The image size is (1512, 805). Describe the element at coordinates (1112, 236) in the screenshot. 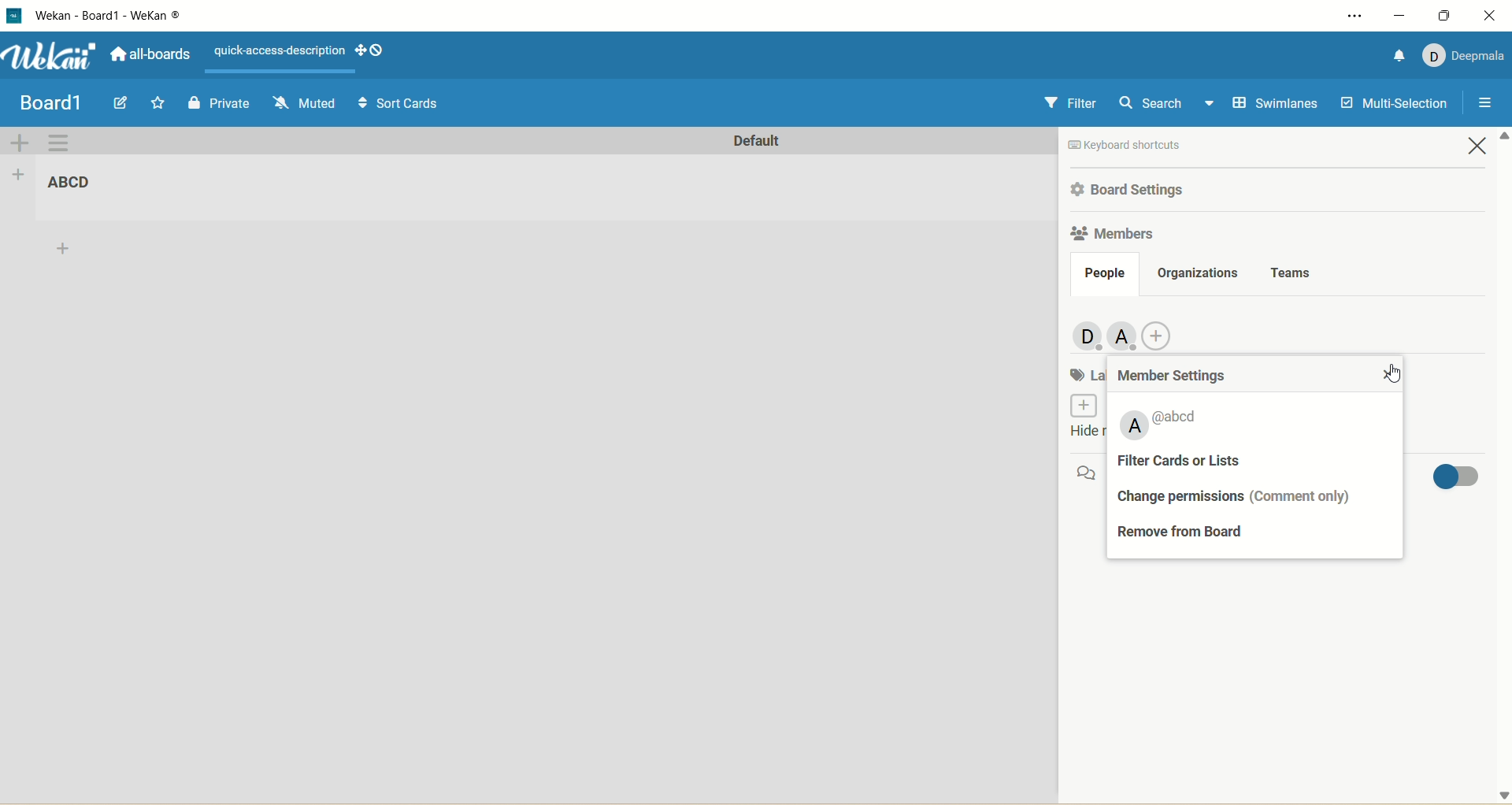

I see `members` at that location.